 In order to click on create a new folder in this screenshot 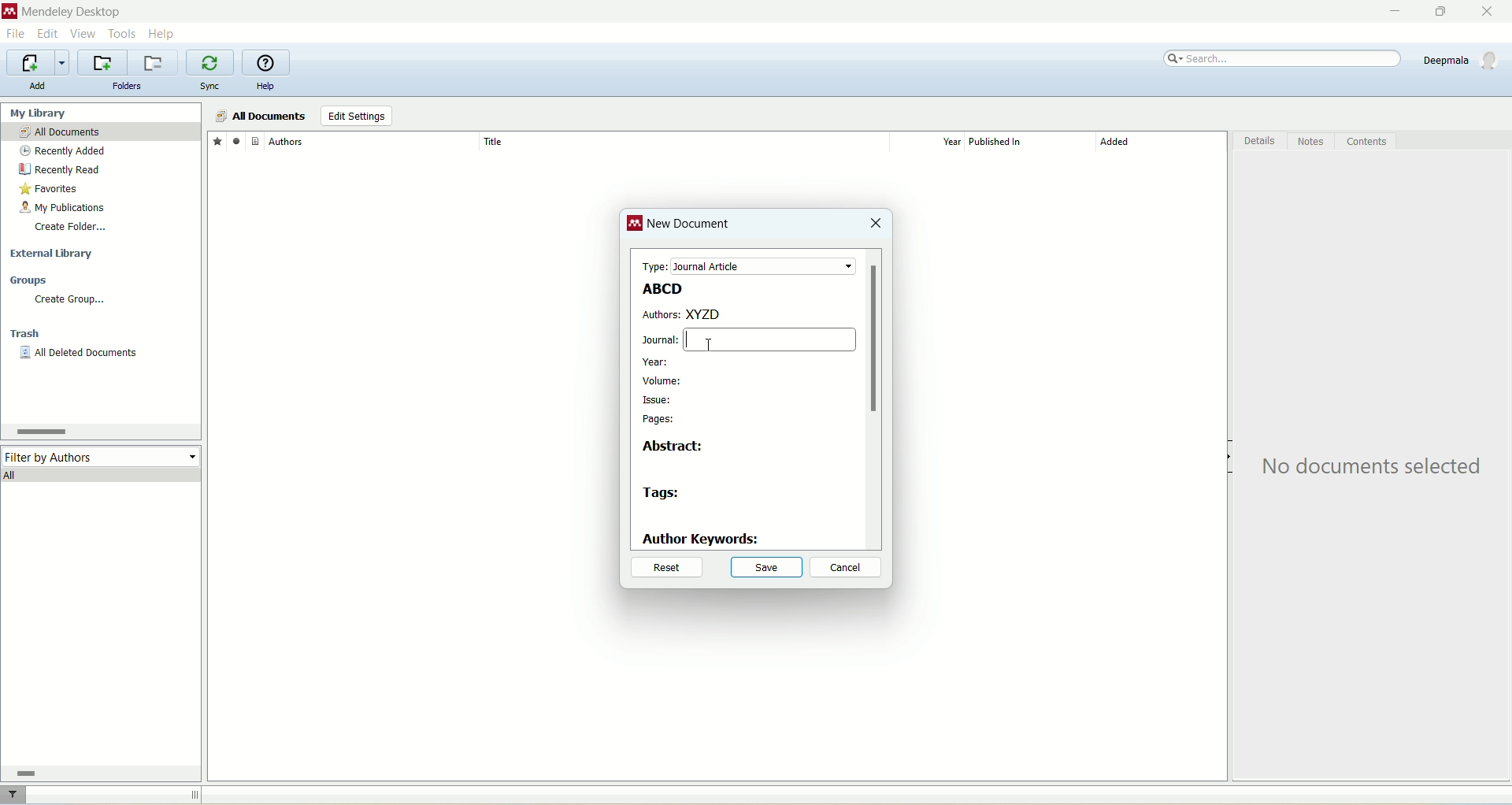, I will do `click(102, 63)`.